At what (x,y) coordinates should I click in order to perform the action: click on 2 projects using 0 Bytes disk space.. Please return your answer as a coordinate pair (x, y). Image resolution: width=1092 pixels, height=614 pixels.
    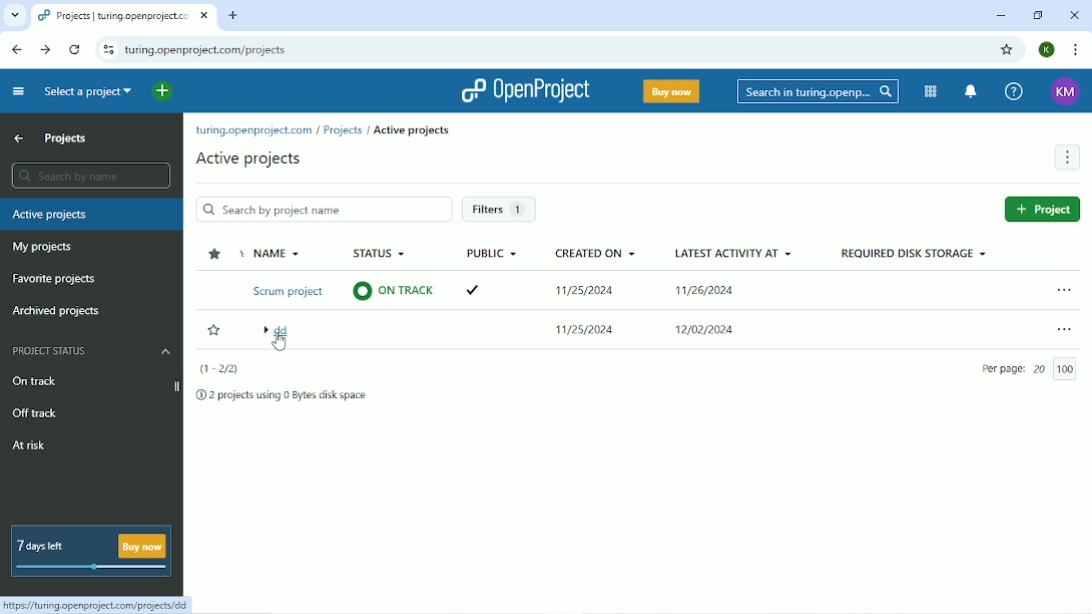
    Looking at the image, I should click on (284, 398).